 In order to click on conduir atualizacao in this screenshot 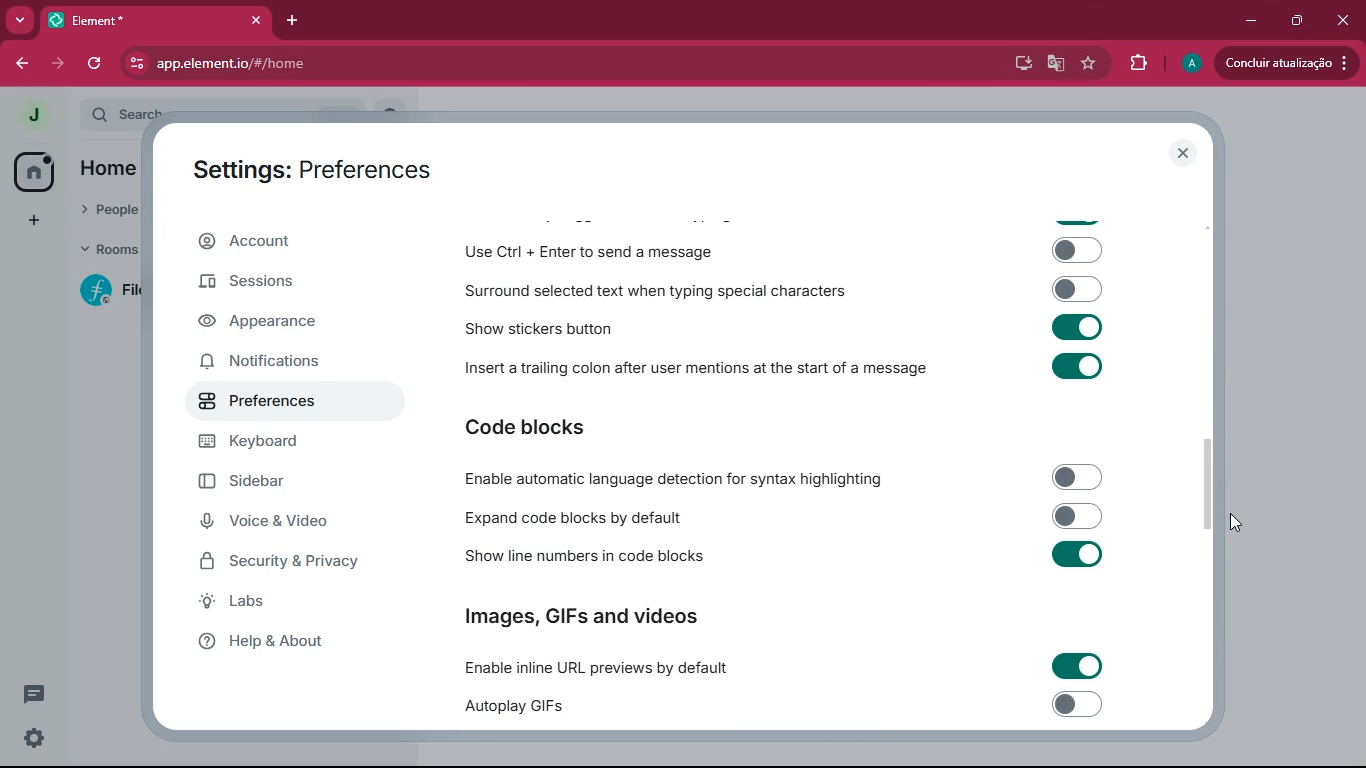, I will do `click(1287, 62)`.